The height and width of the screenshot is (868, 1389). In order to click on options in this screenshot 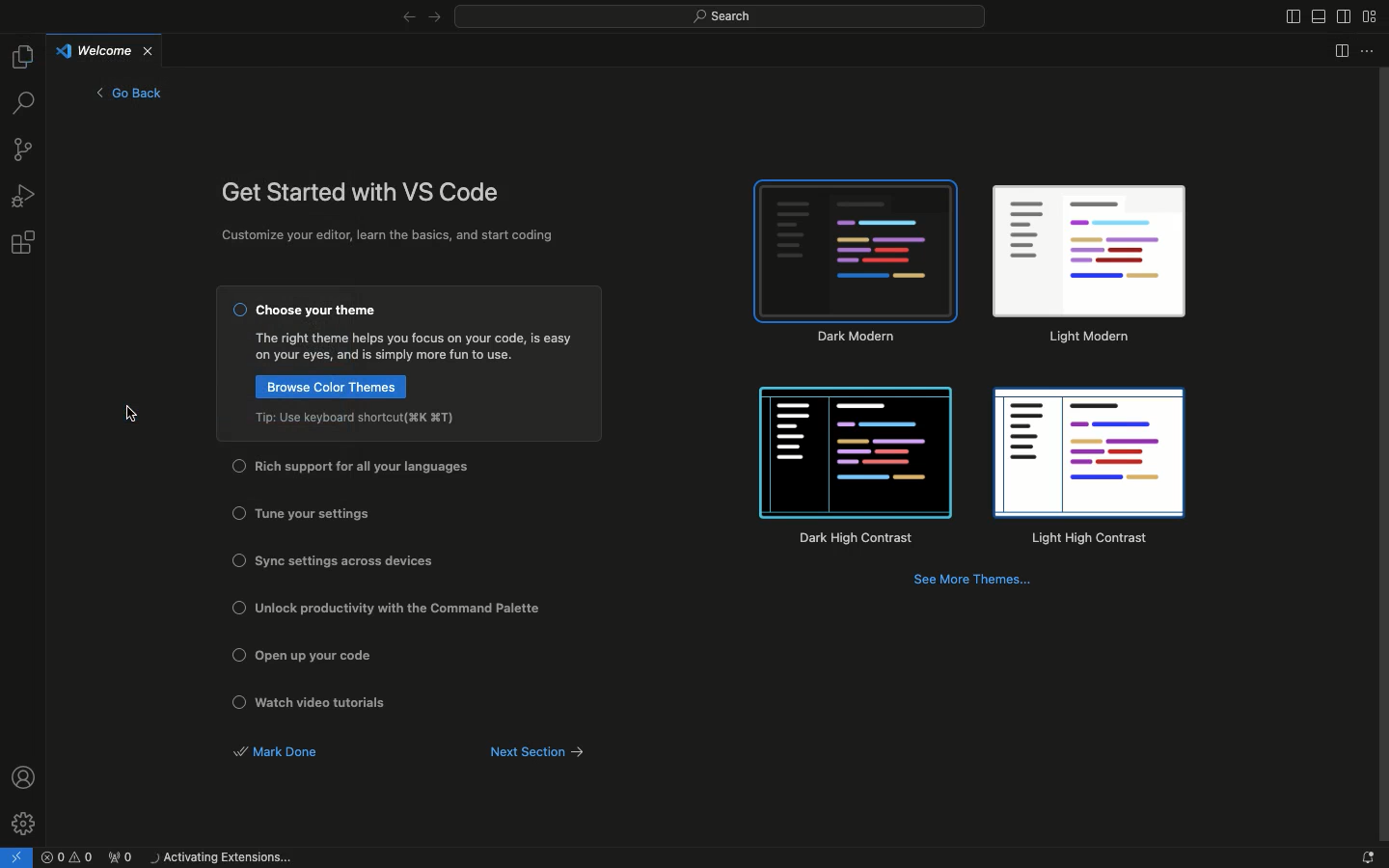, I will do `click(1370, 51)`.